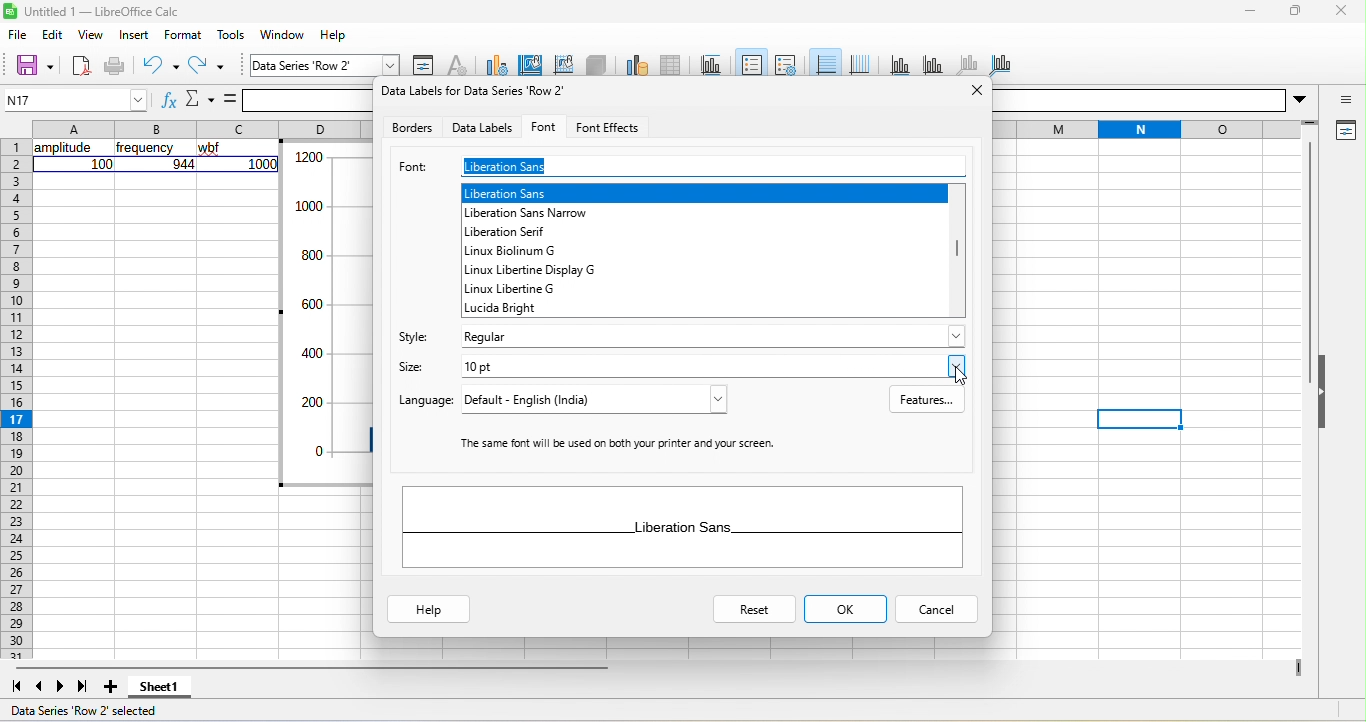 The image size is (1366, 722). What do you see at coordinates (280, 35) in the screenshot?
I see `window` at bounding box center [280, 35].